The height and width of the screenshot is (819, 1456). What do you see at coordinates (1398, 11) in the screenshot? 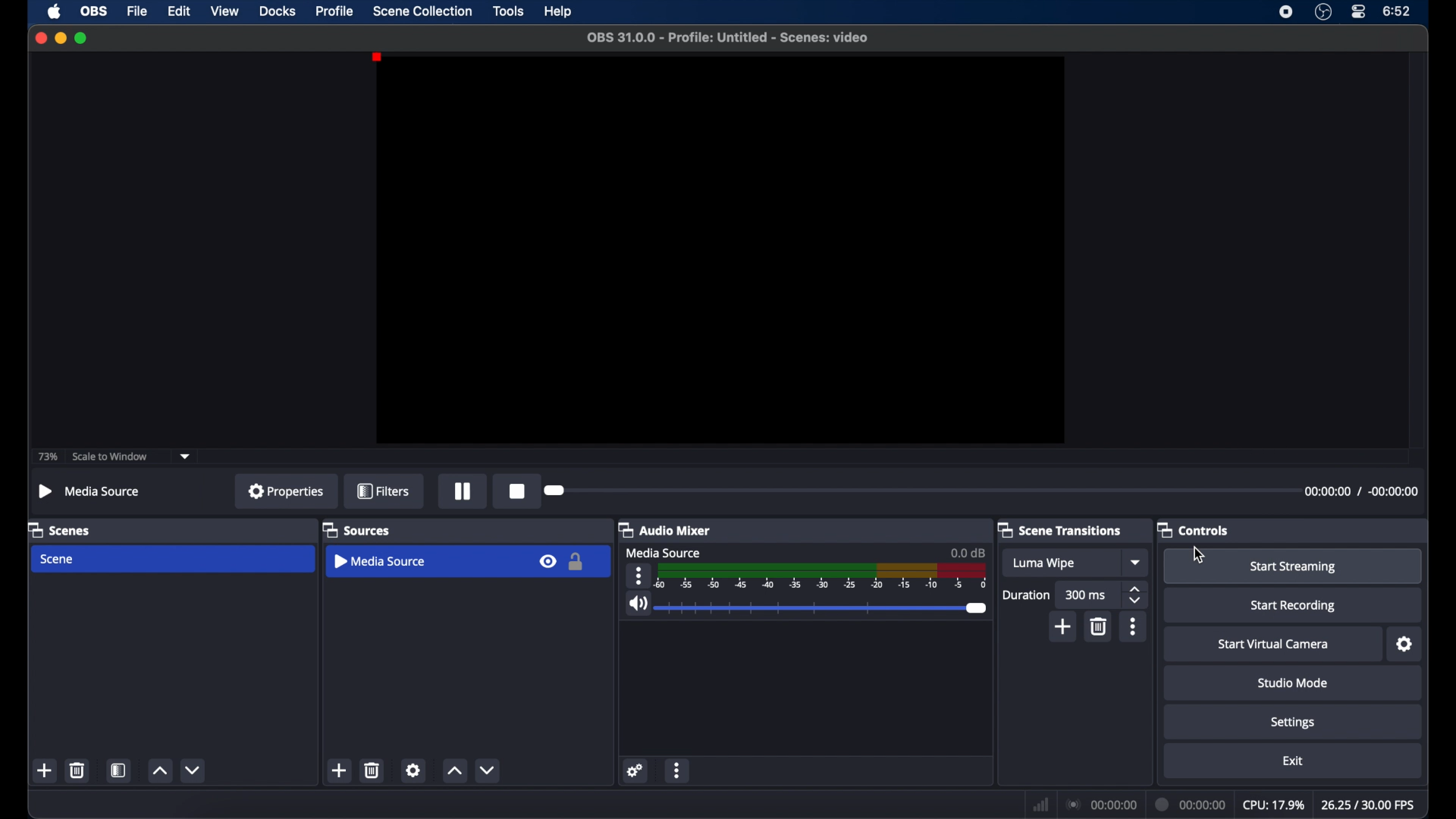
I see `time` at bounding box center [1398, 11].